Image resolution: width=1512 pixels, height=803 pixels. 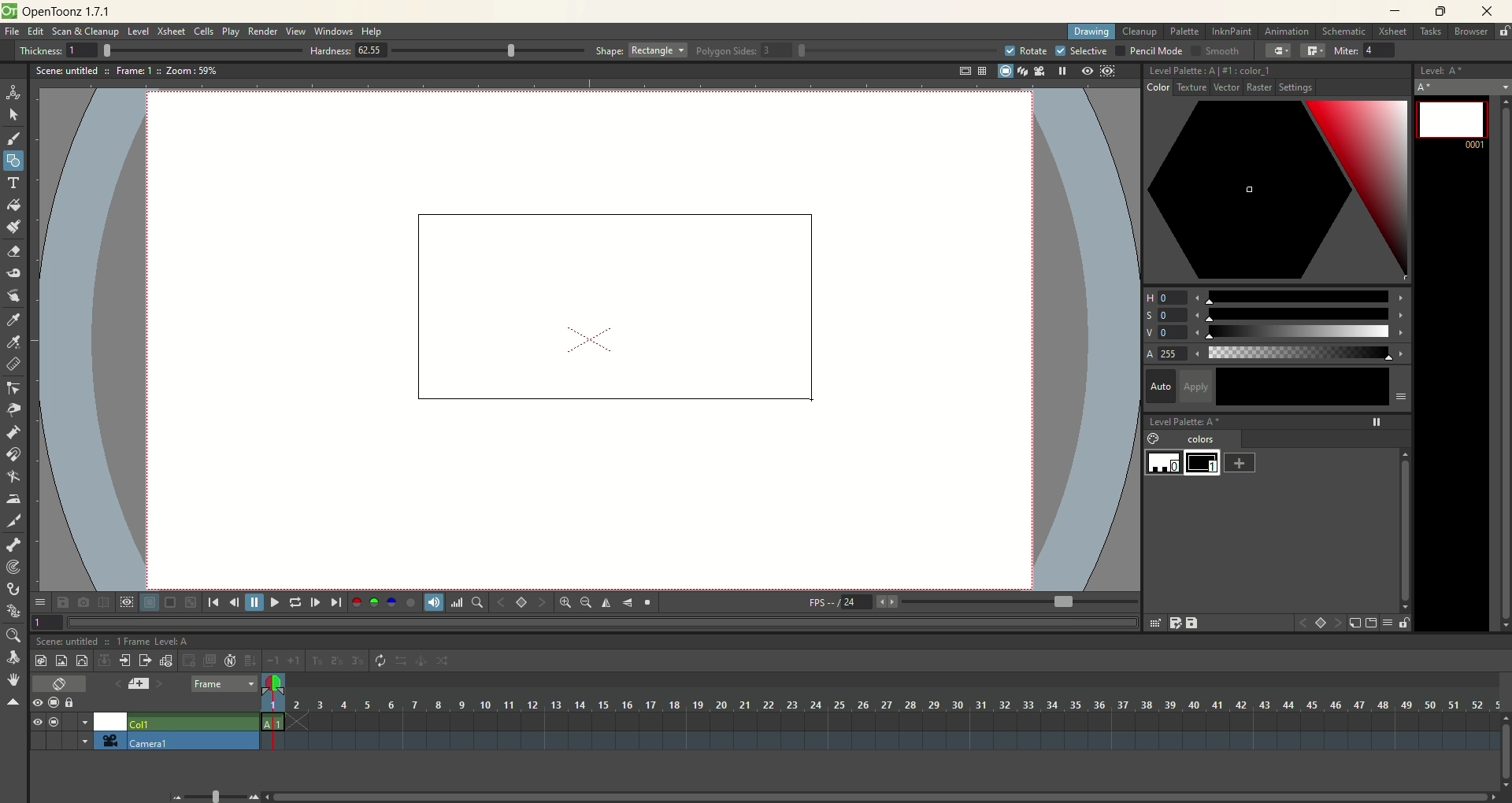 What do you see at coordinates (82, 661) in the screenshot?
I see `new vector level` at bounding box center [82, 661].